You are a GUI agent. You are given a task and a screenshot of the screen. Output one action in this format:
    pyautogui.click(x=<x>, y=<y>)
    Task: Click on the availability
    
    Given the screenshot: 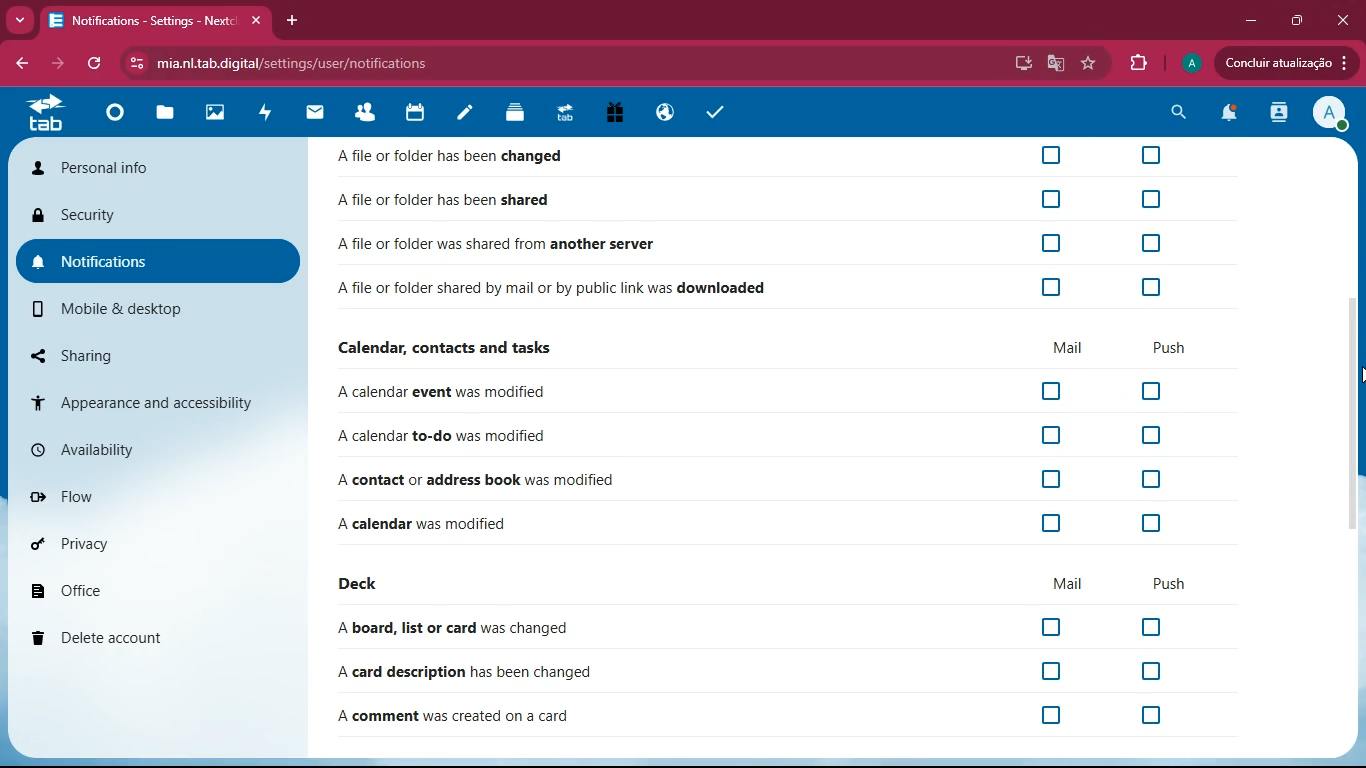 What is the action you would take?
    pyautogui.click(x=147, y=448)
    